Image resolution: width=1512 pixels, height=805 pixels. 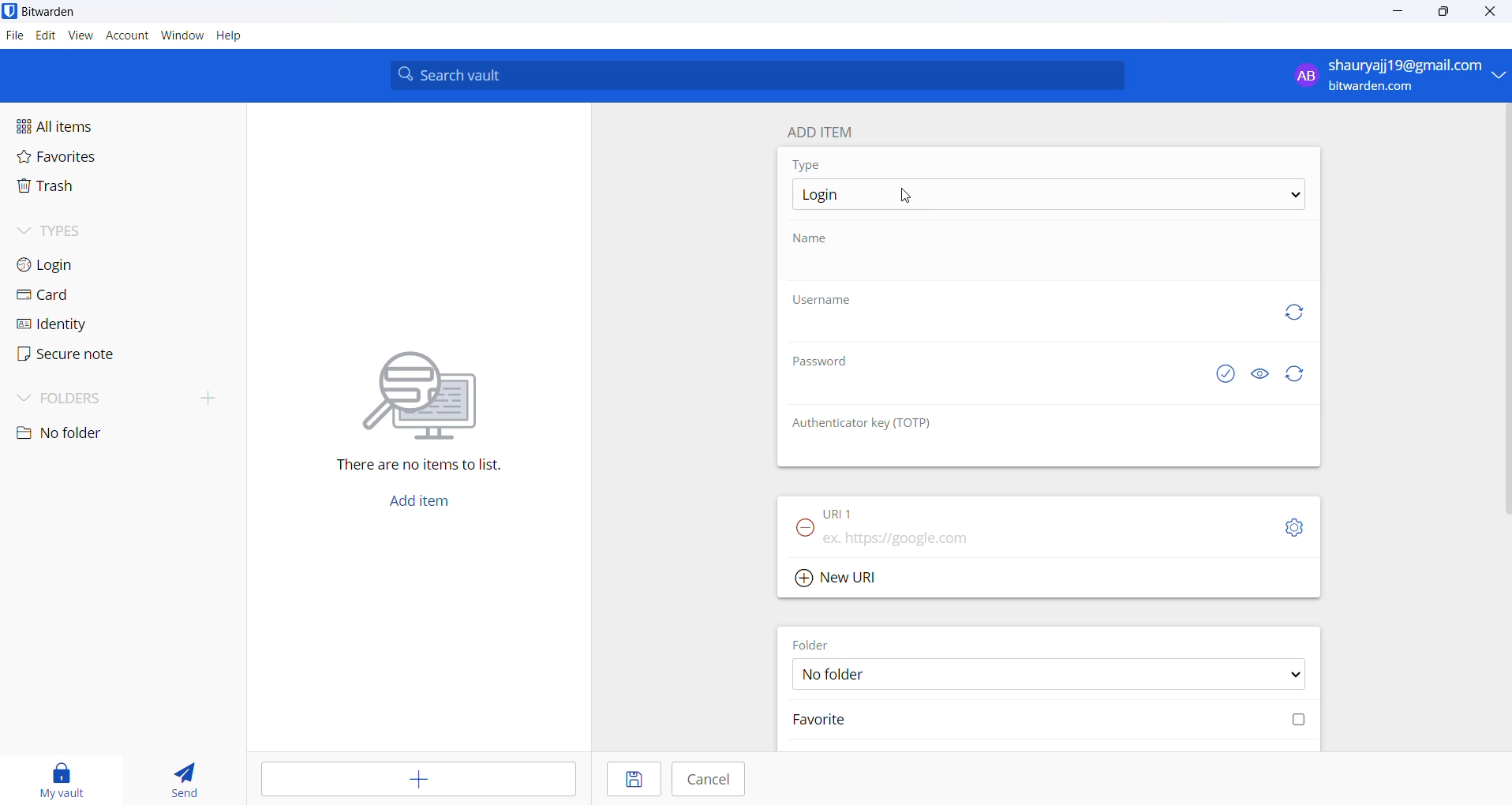 What do you see at coordinates (82, 36) in the screenshot?
I see `view` at bounding box center [82, 36].